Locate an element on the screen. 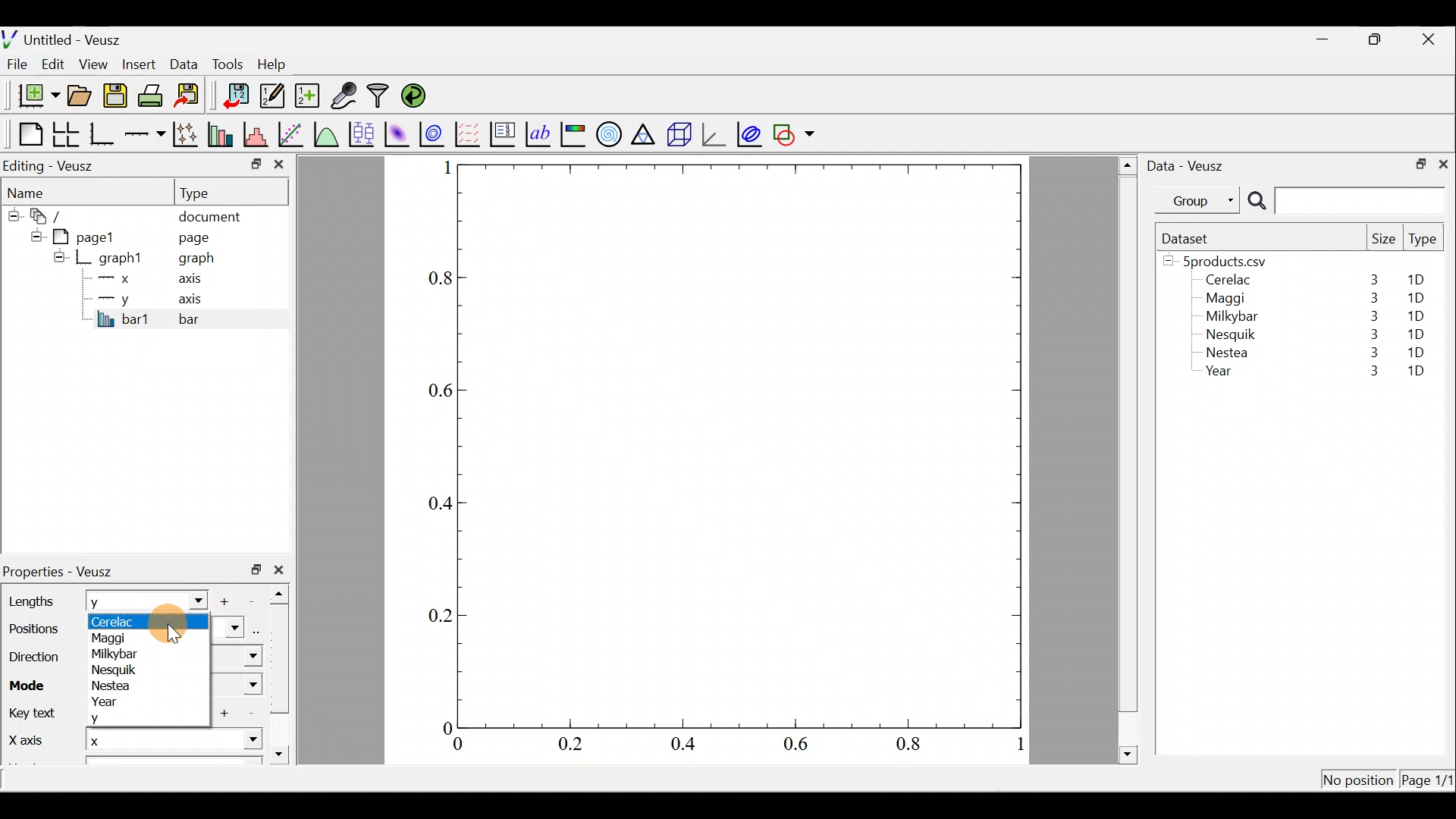 The height and width of the screenshot is (819, 1456). Data is located at coordinates (184, 63).